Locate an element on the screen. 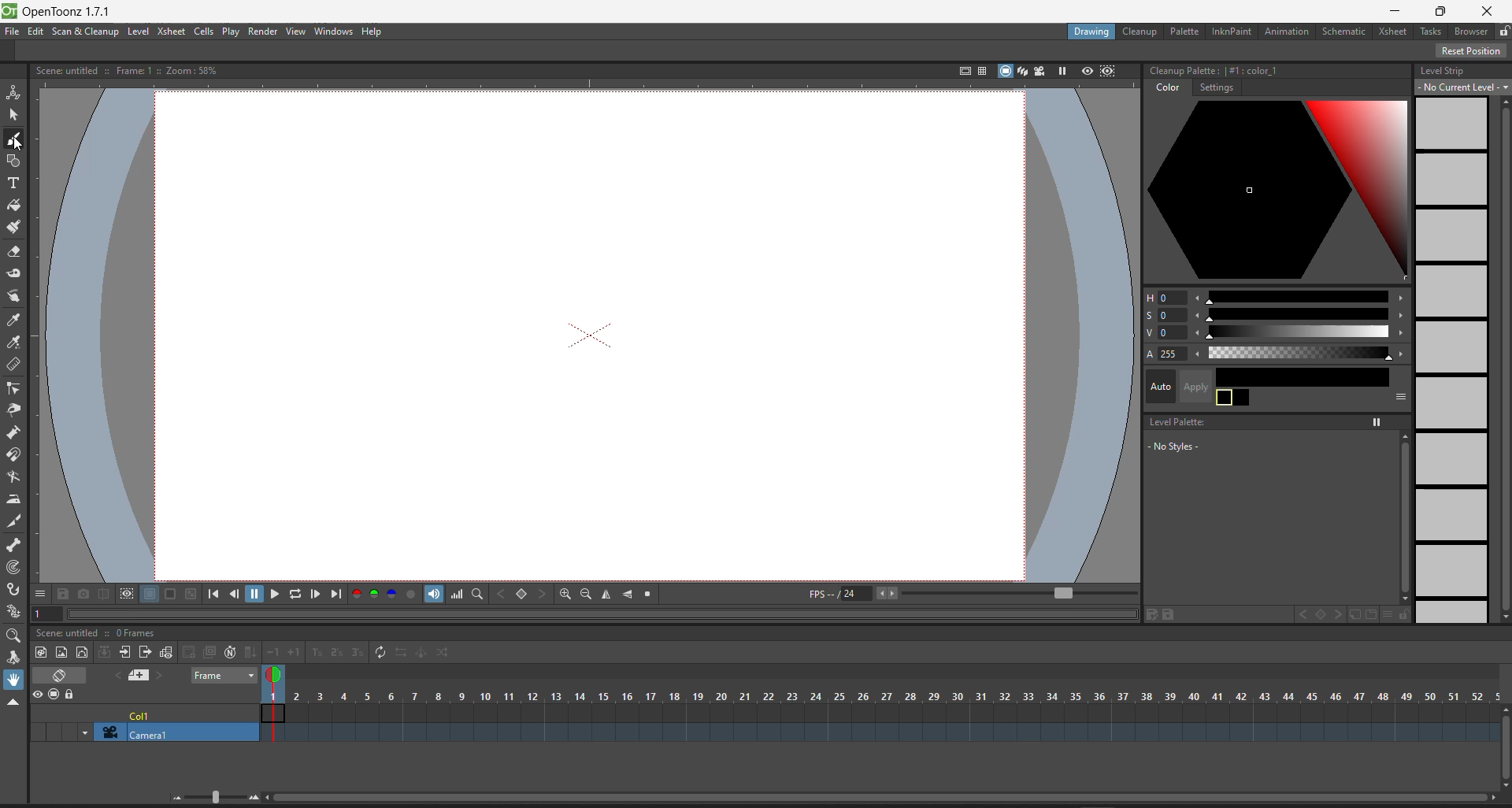  color is located at coordinates (1167, 87).